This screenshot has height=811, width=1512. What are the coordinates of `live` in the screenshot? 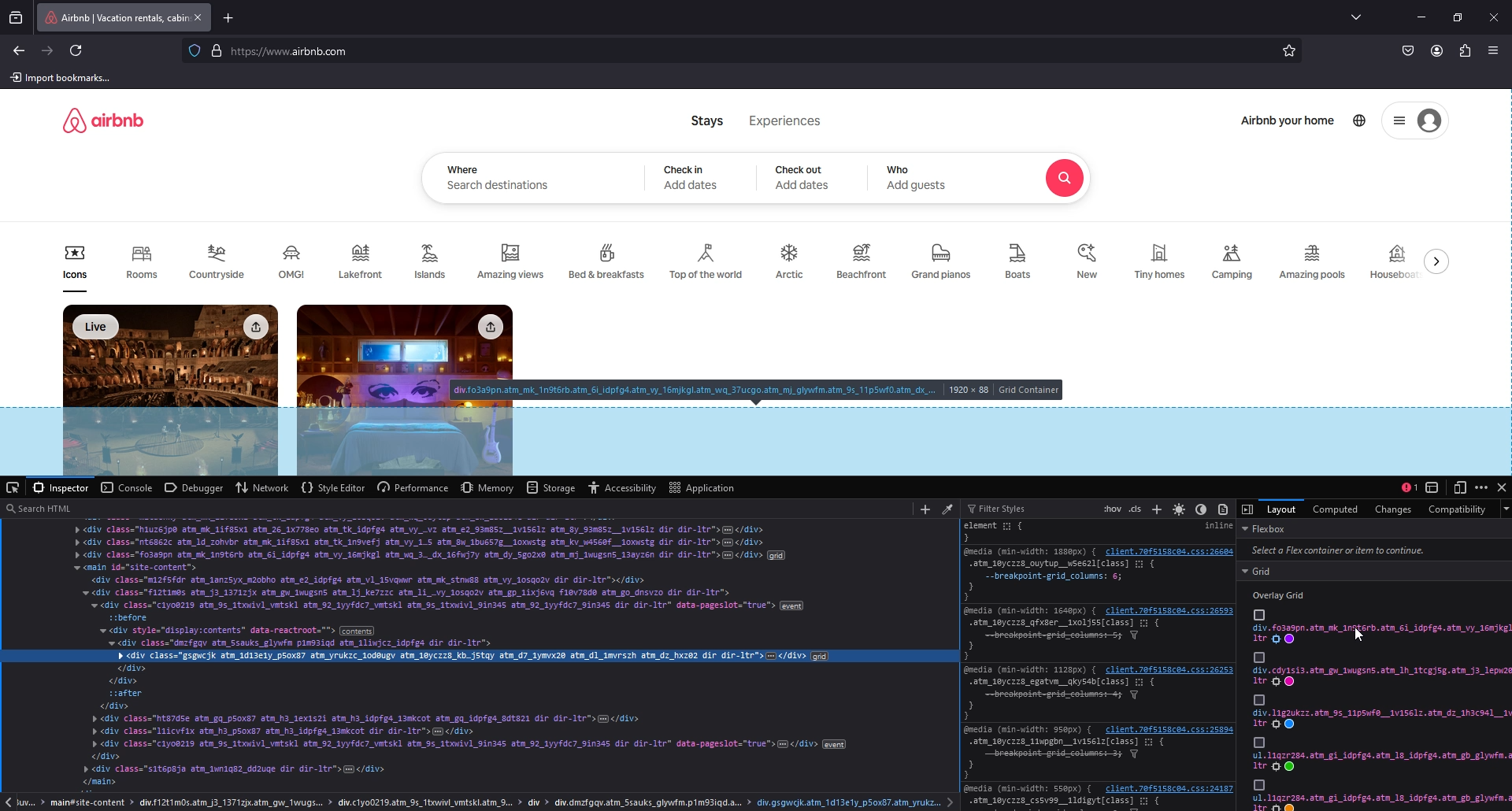 It's located at (98, 327).